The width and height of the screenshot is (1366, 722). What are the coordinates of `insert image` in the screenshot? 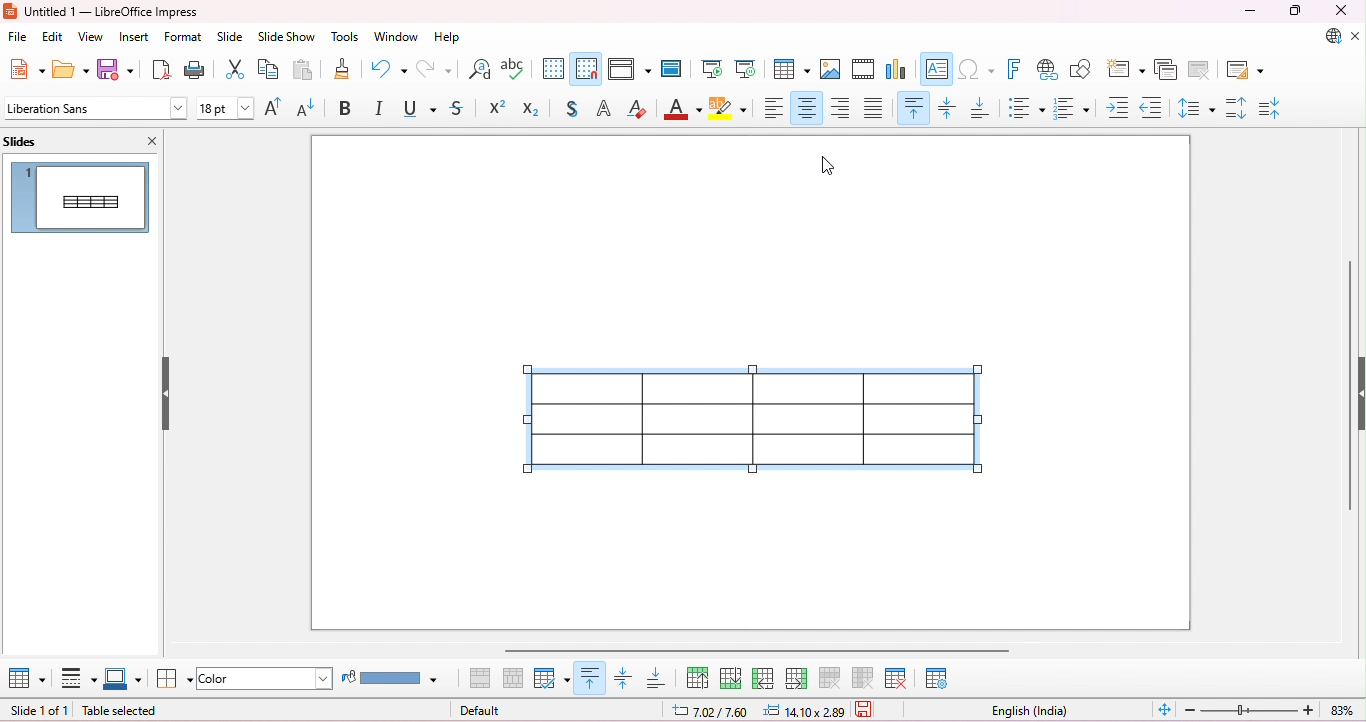 It's located at (832, 70).